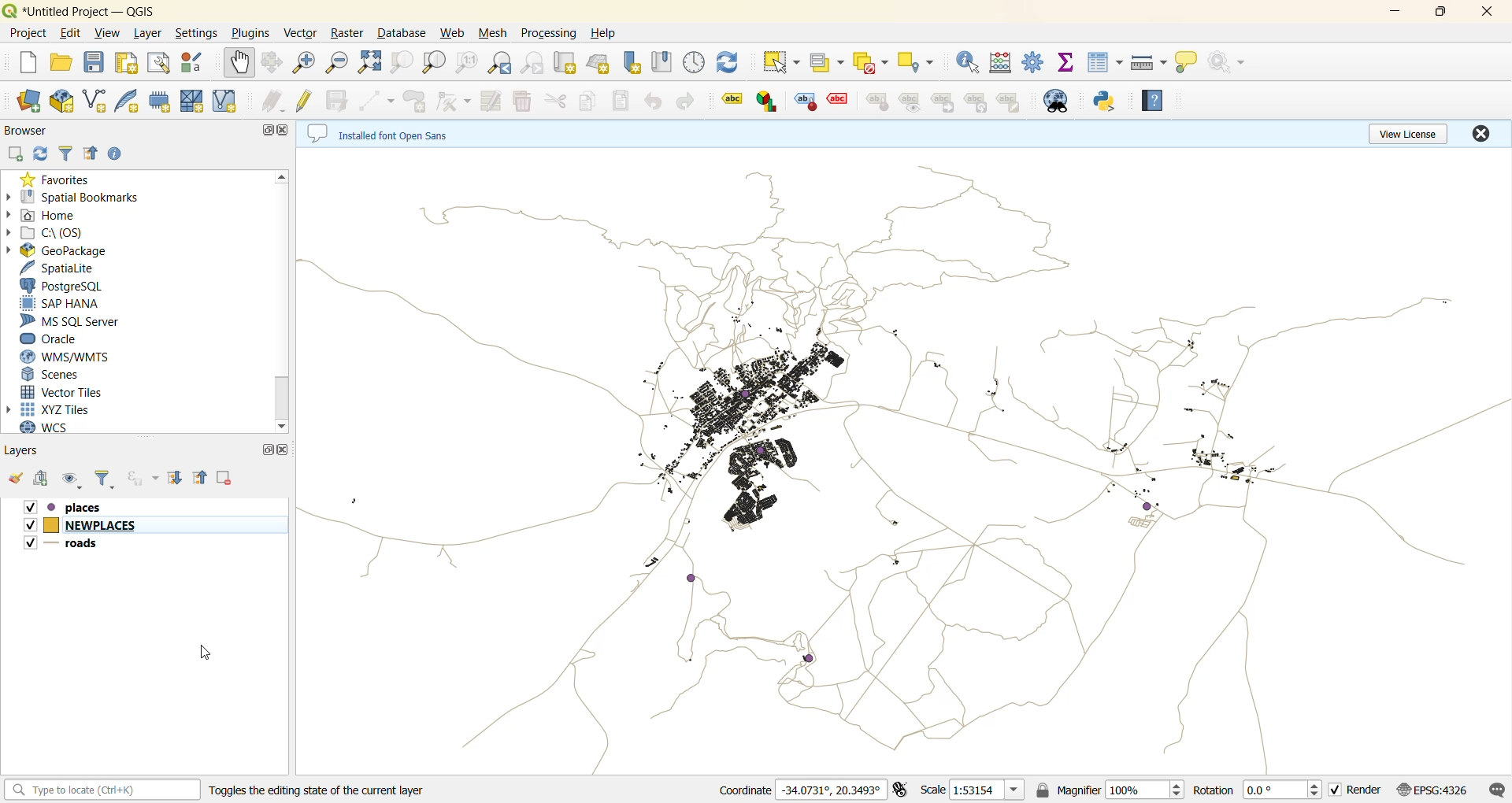  I want to click on zoom in, so click(306, 65).